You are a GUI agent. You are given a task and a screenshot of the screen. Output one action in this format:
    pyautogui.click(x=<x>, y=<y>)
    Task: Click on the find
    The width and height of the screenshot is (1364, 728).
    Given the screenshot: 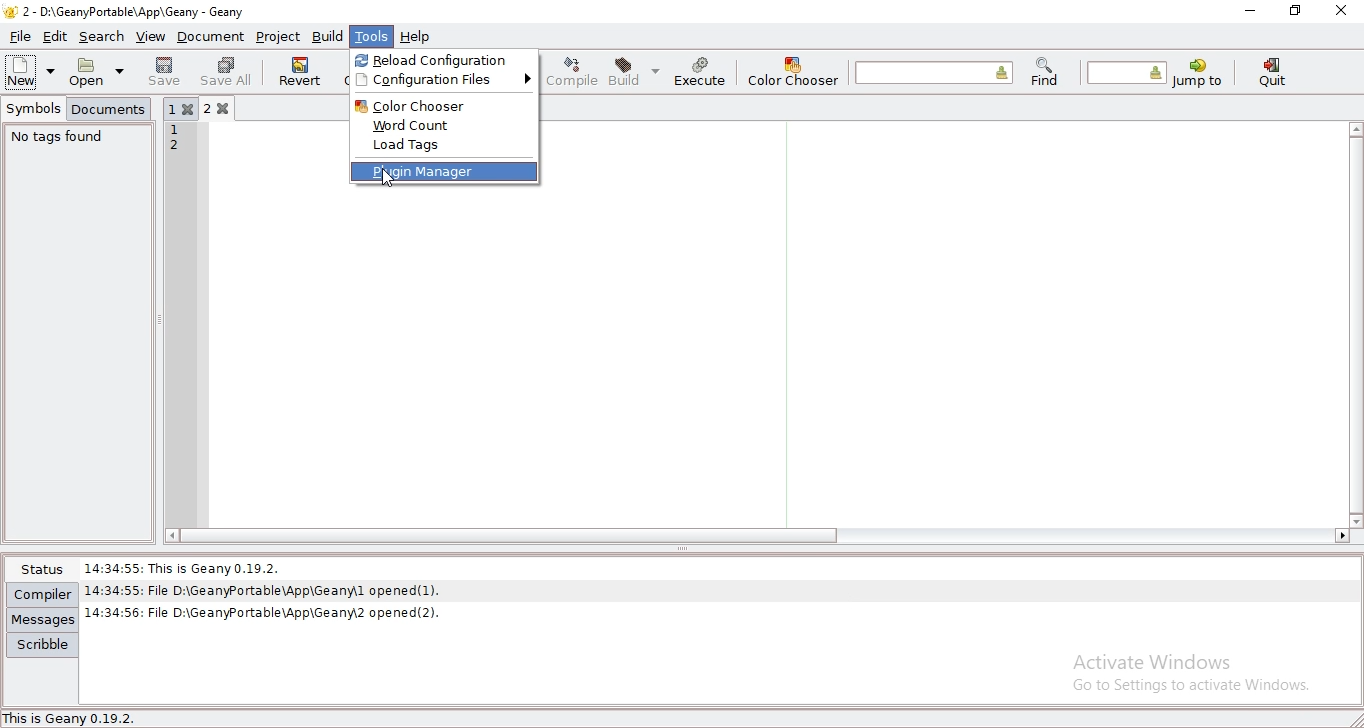 What is the action you would take?
    pyautogui.click(x=1044, y=72)
    